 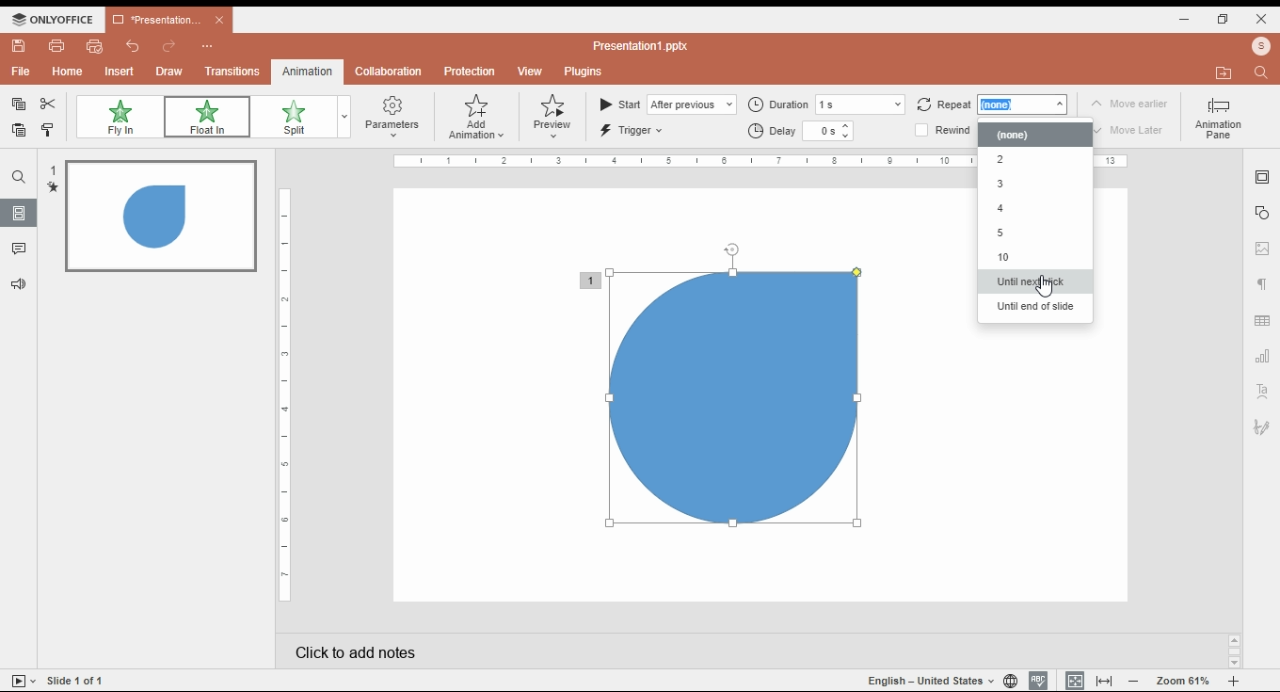 I want to click on float in, so click(x=206, y=118).